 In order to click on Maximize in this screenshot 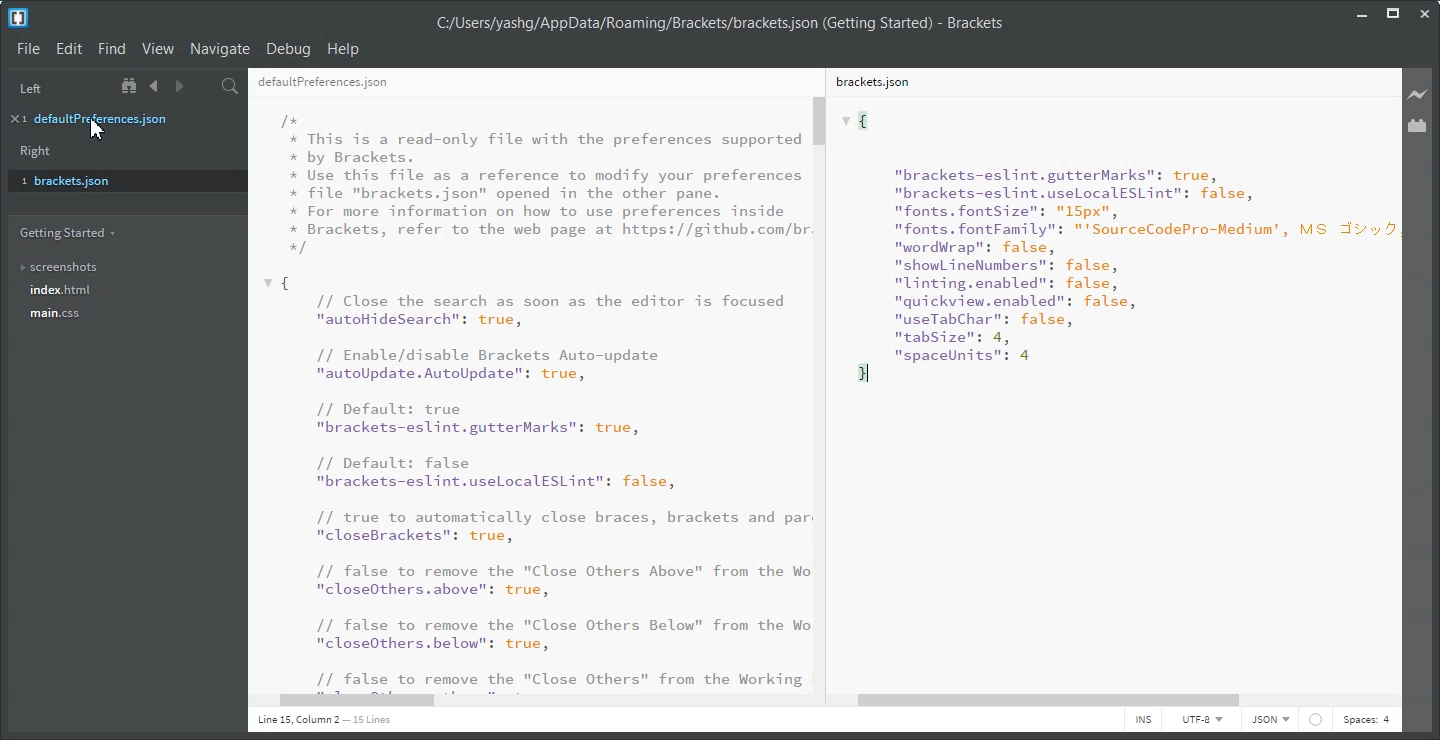, I will do `click(1393, 13)`.